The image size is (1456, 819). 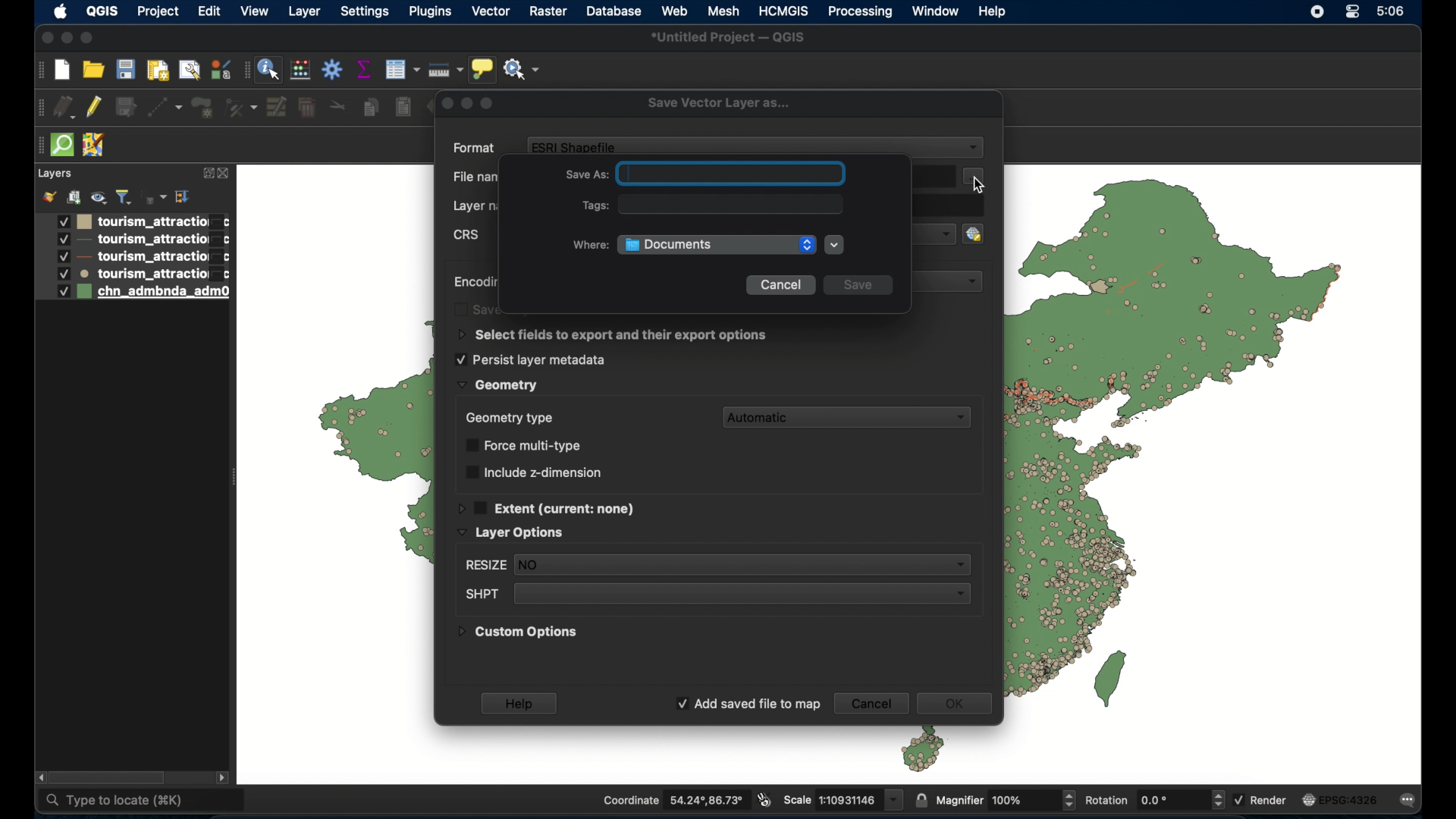 What do you see at coordinates (588, 246) in the screenshot?
I see `where` at bounding box center [588, 246].